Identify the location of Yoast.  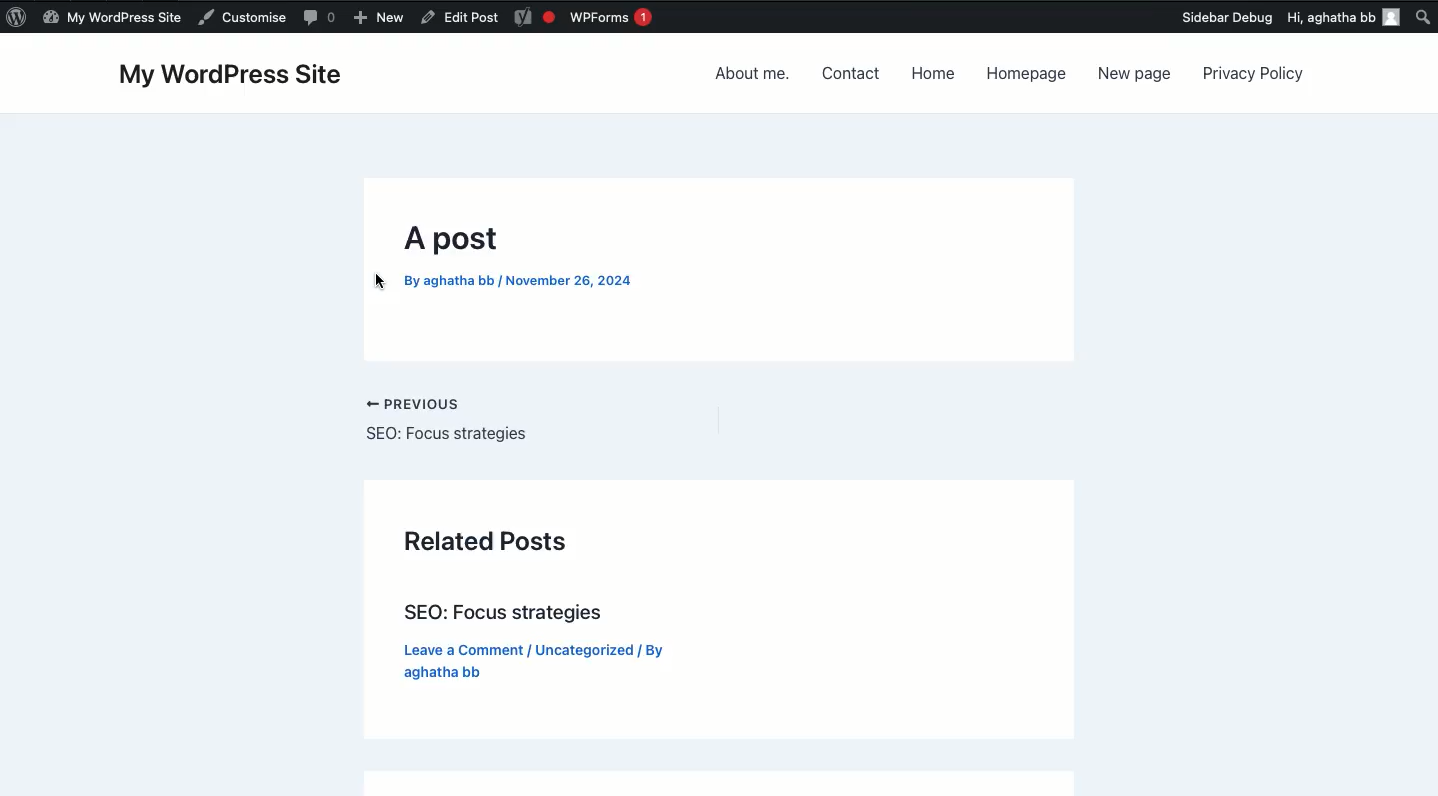
(536, 20).